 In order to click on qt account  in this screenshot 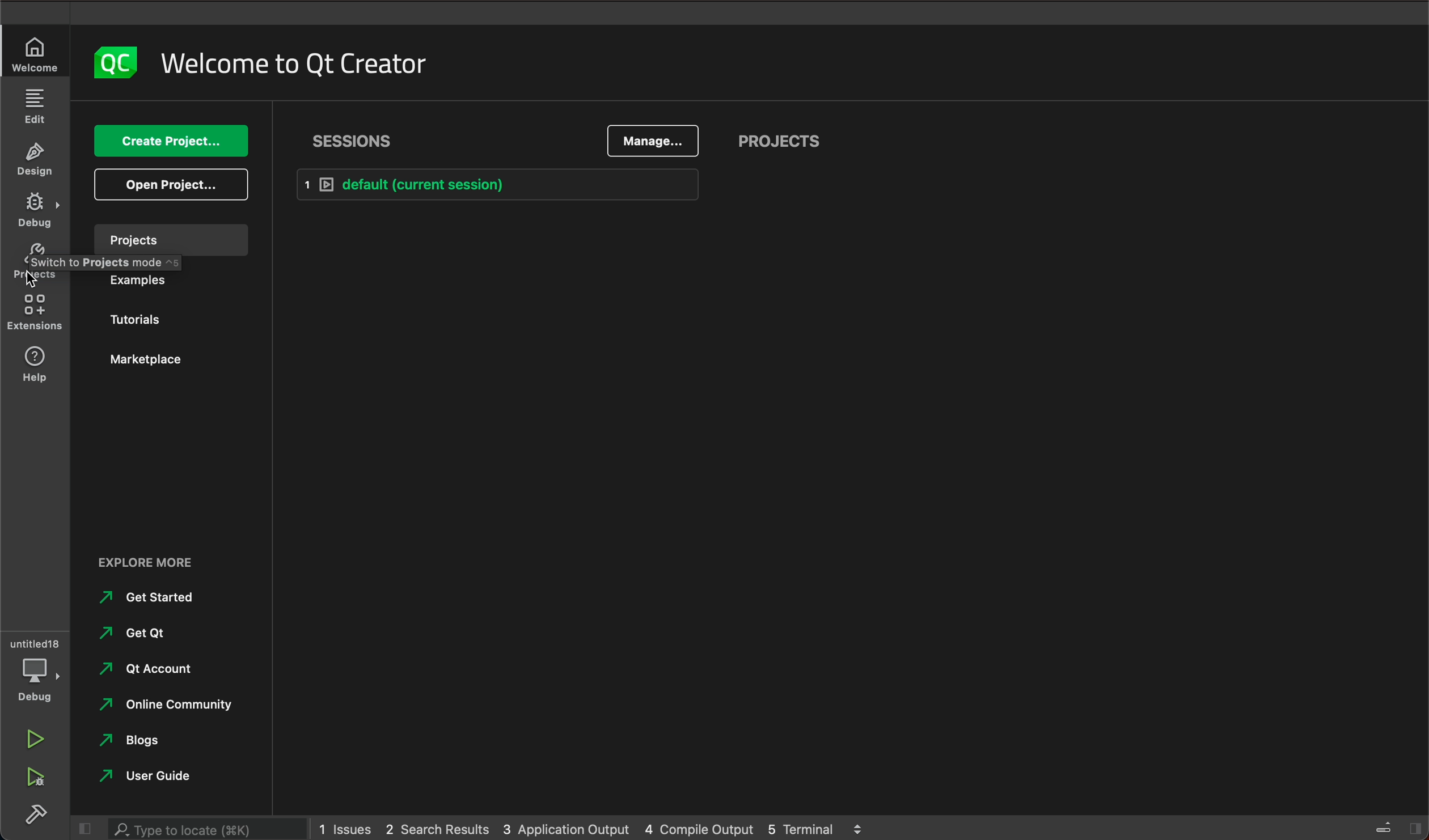, I will do `click(148, 669)`.